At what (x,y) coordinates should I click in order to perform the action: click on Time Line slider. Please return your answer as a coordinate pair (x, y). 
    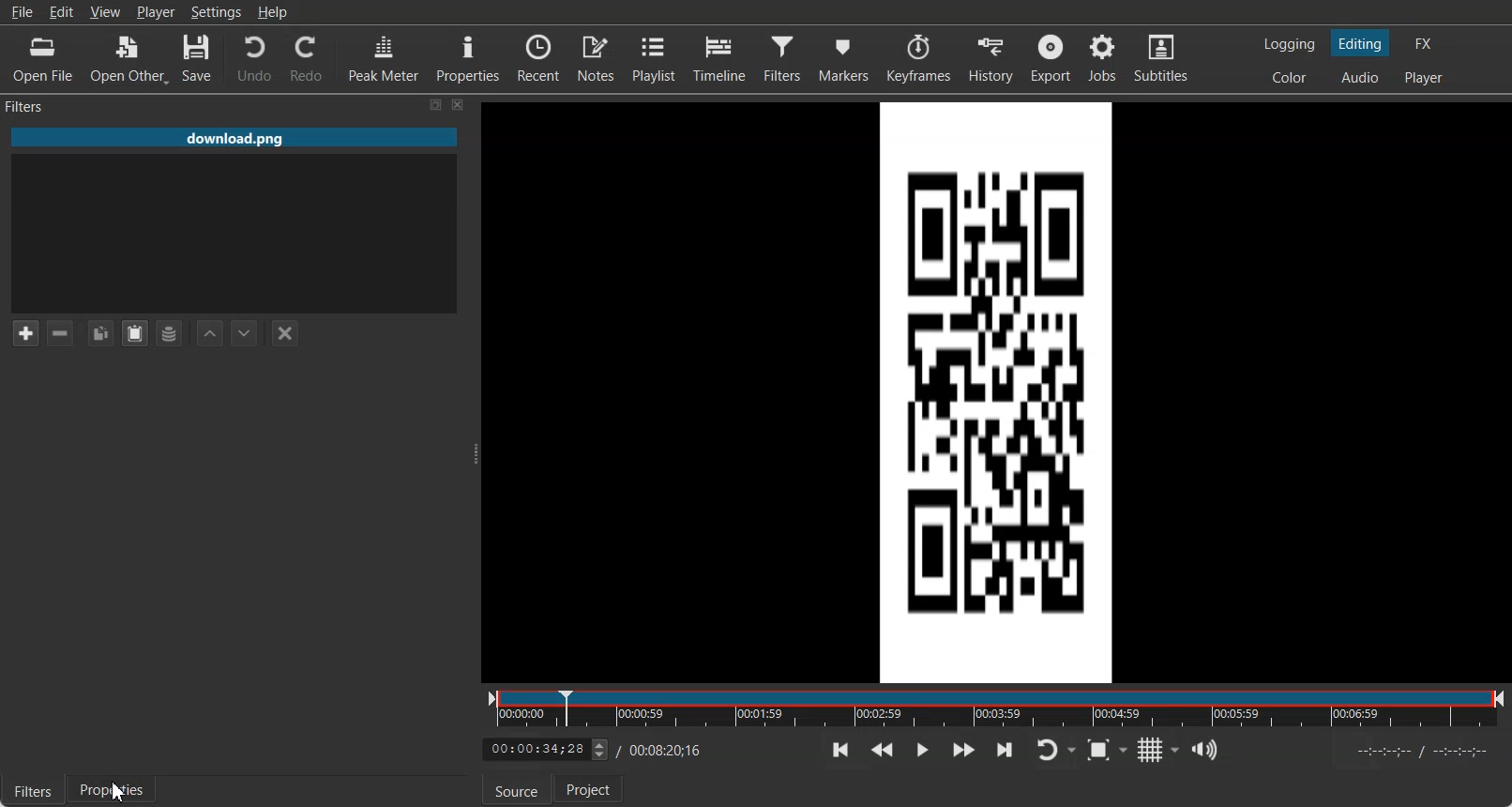
    Looking at the image, I should click on (996, 708).